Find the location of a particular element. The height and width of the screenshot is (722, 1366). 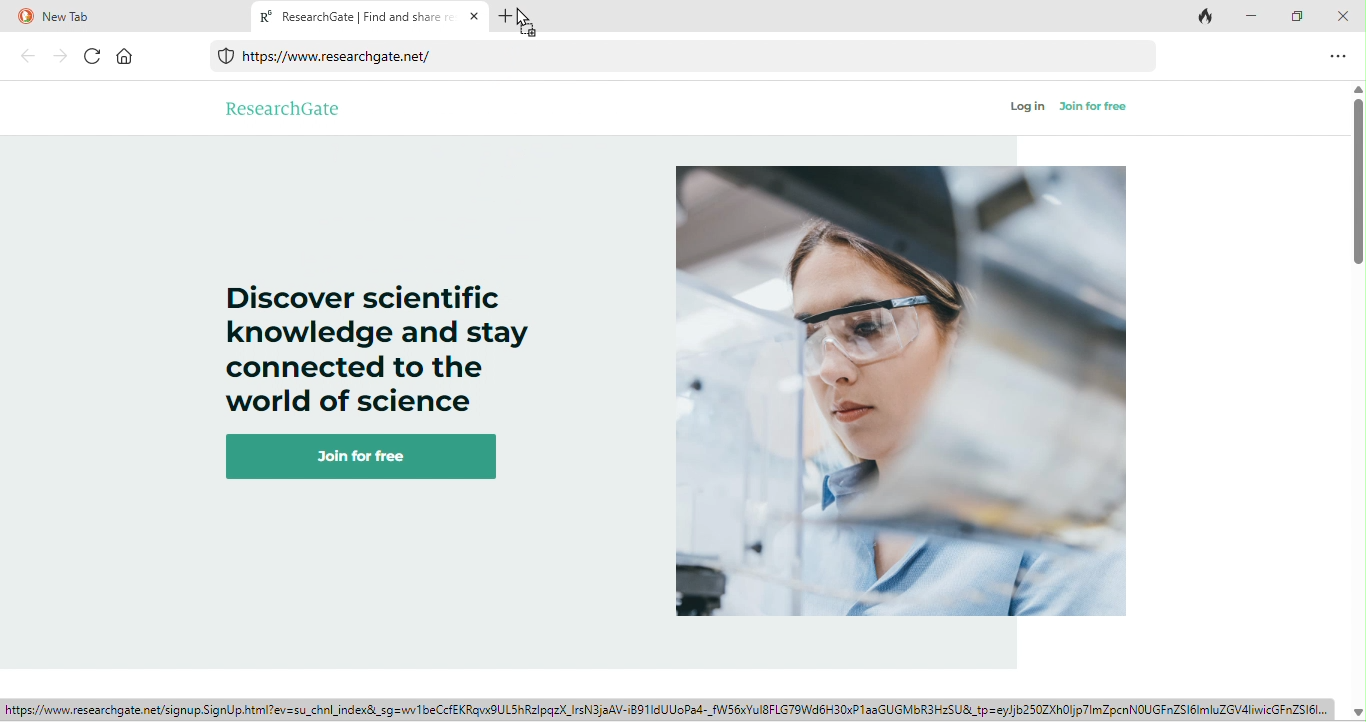

close is located at coordinates (1345, 17).